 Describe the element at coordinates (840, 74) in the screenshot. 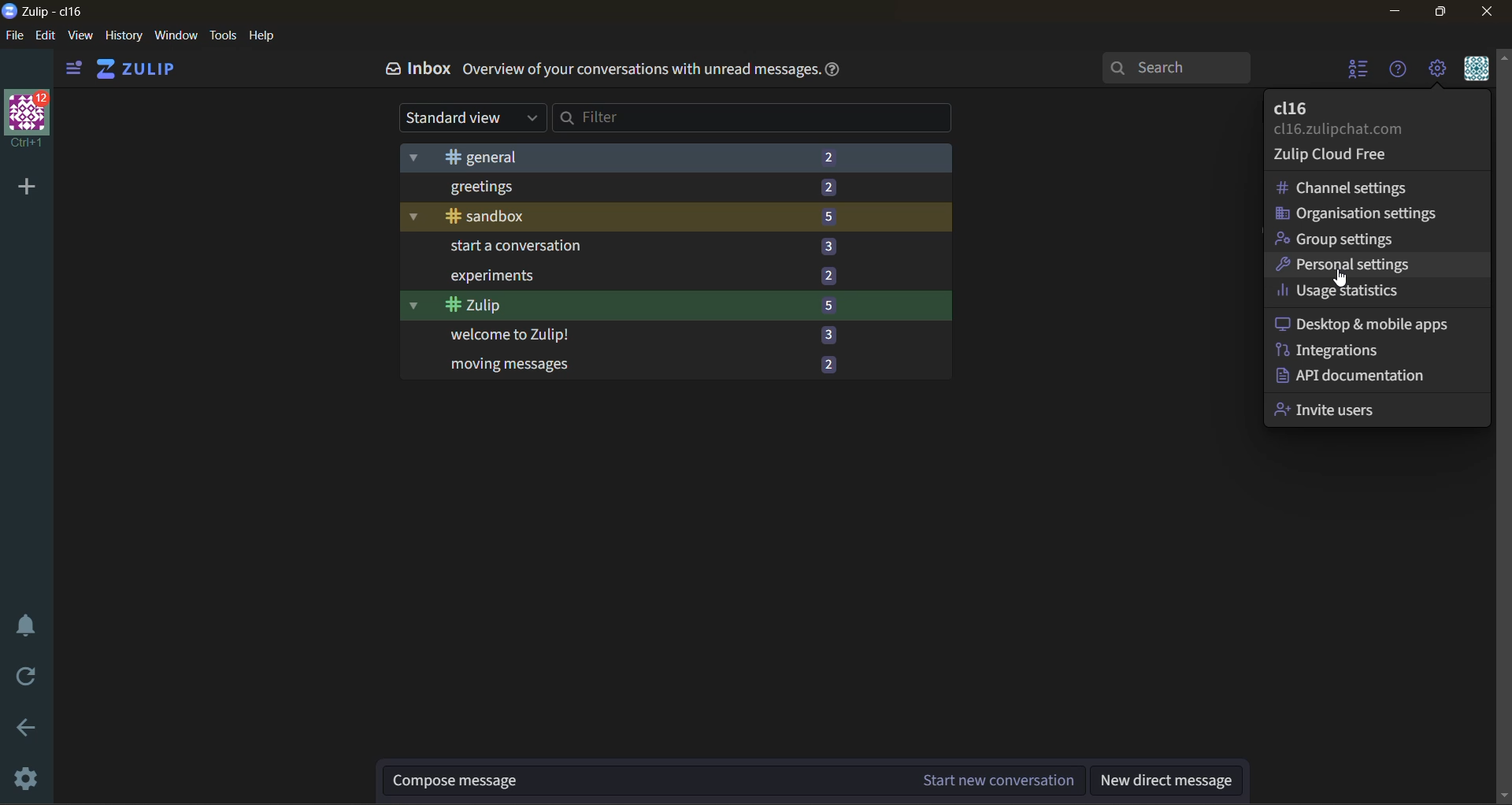

I see `help` at that location.